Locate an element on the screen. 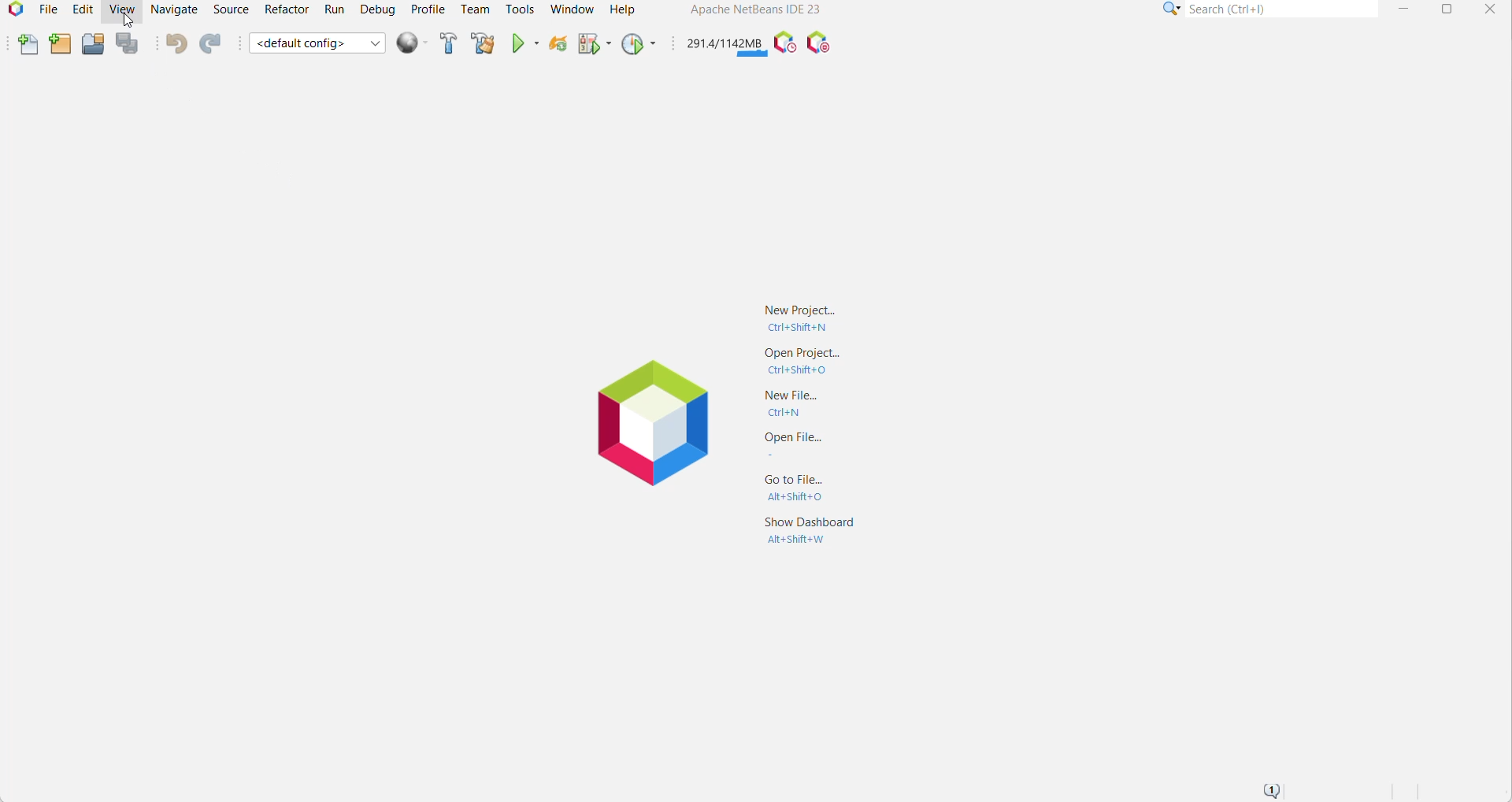 This screenshot has width=1512, height=802. Source is located at coordinates (231, 9).